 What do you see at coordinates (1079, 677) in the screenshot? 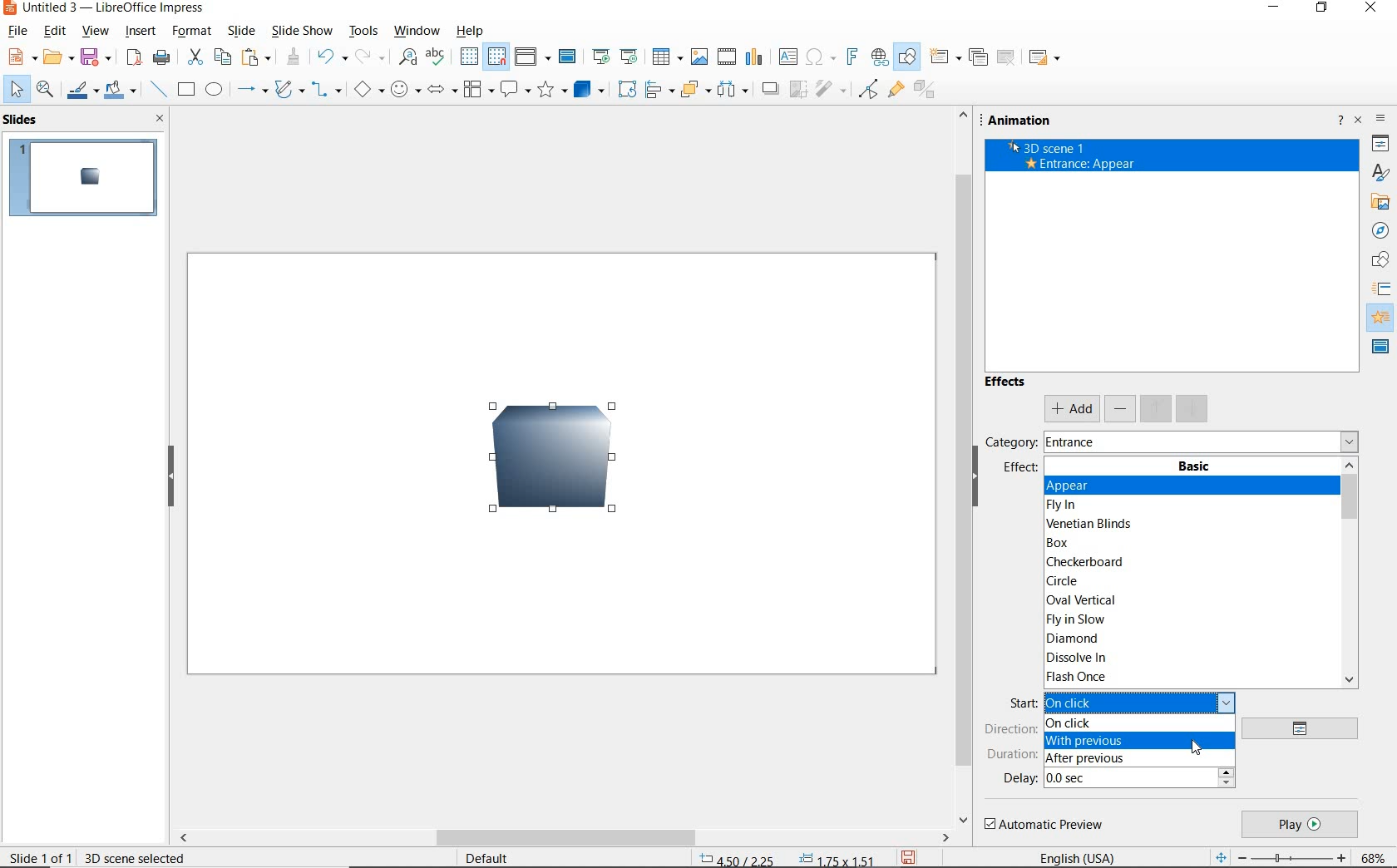
I see `FLASH ONCE` at bounding box center [1079, 677].